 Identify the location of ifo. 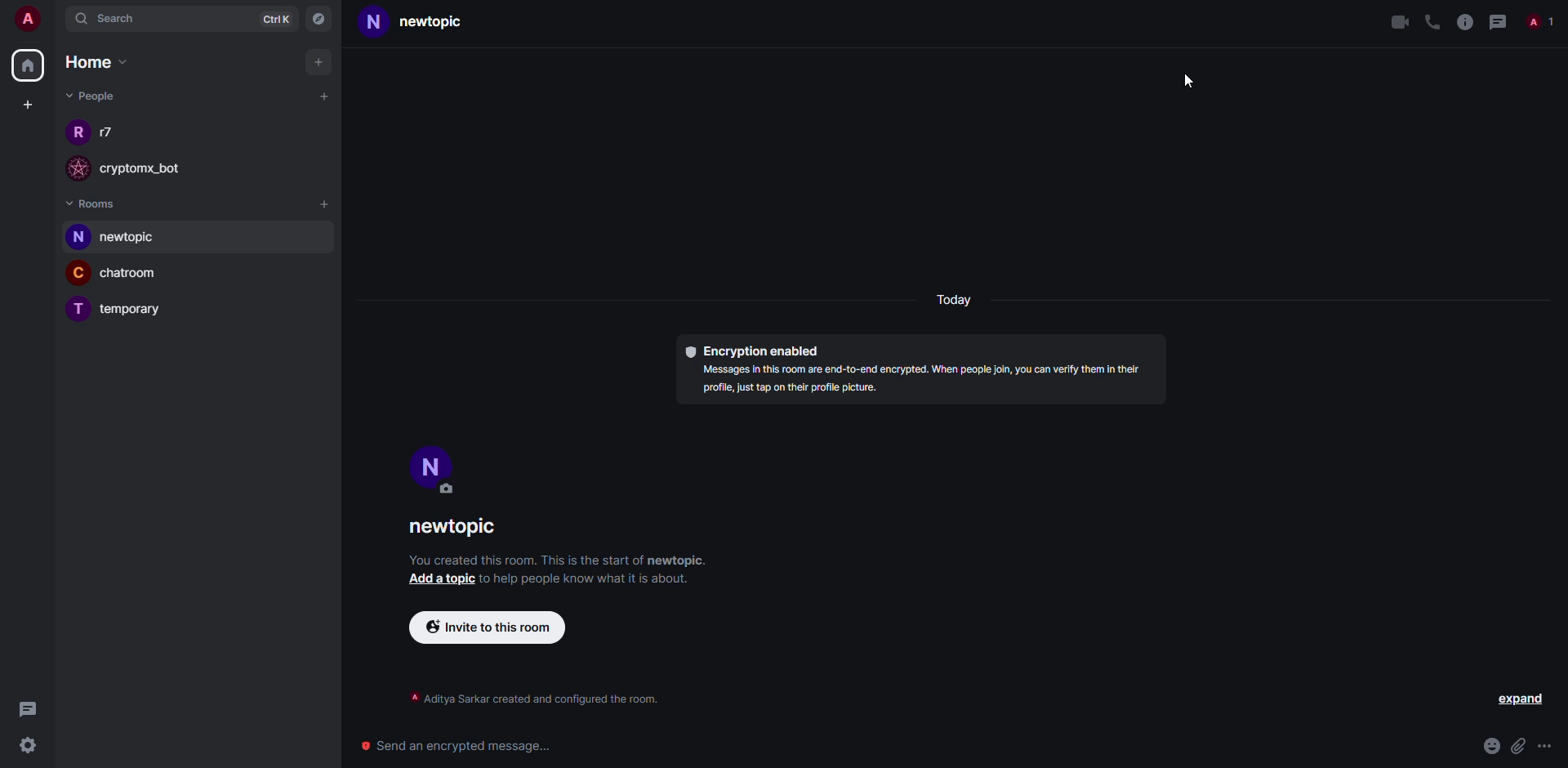
(926, 381).